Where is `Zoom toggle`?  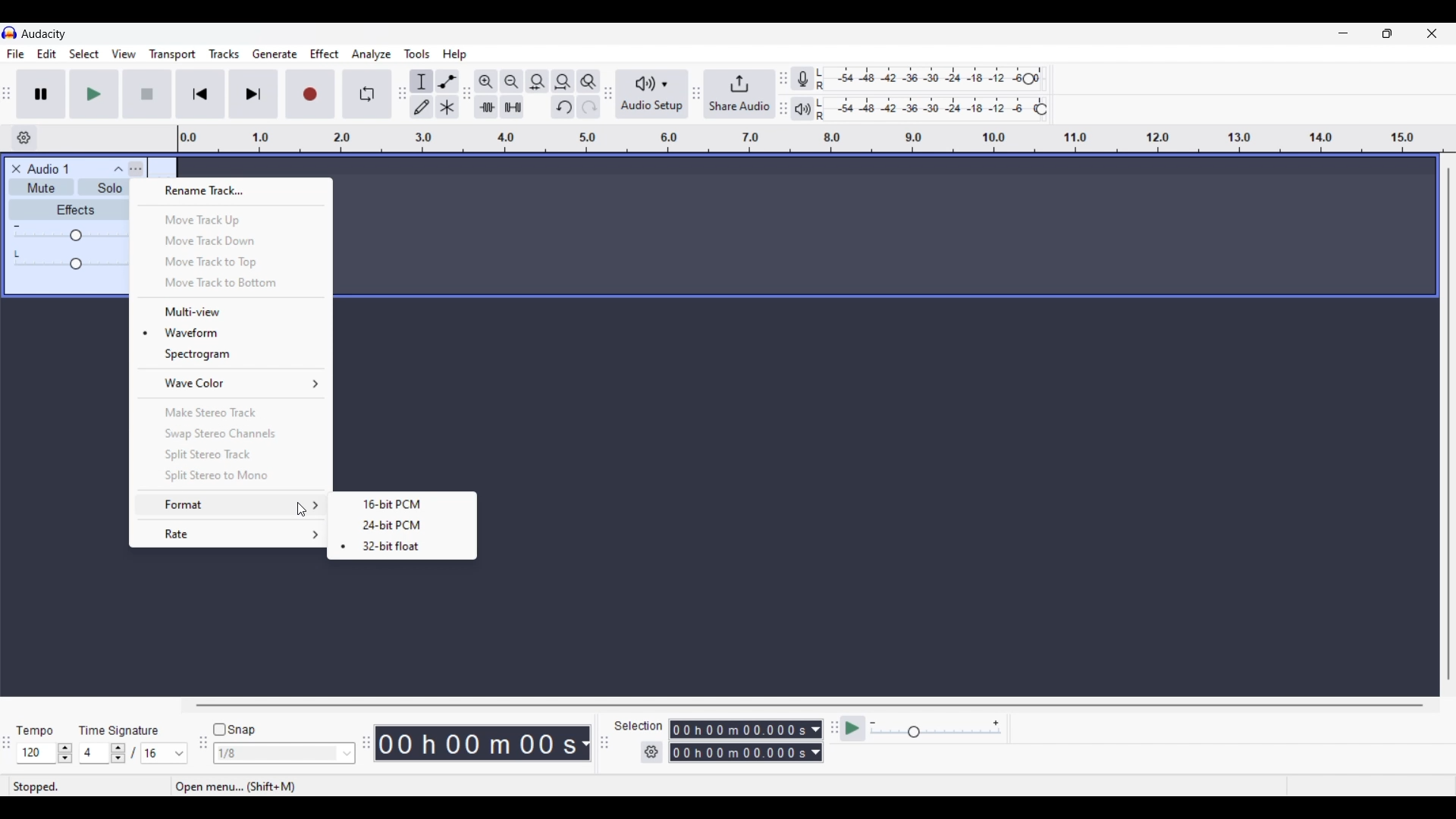 Zoom toggle is located at coordinates (588, 81).